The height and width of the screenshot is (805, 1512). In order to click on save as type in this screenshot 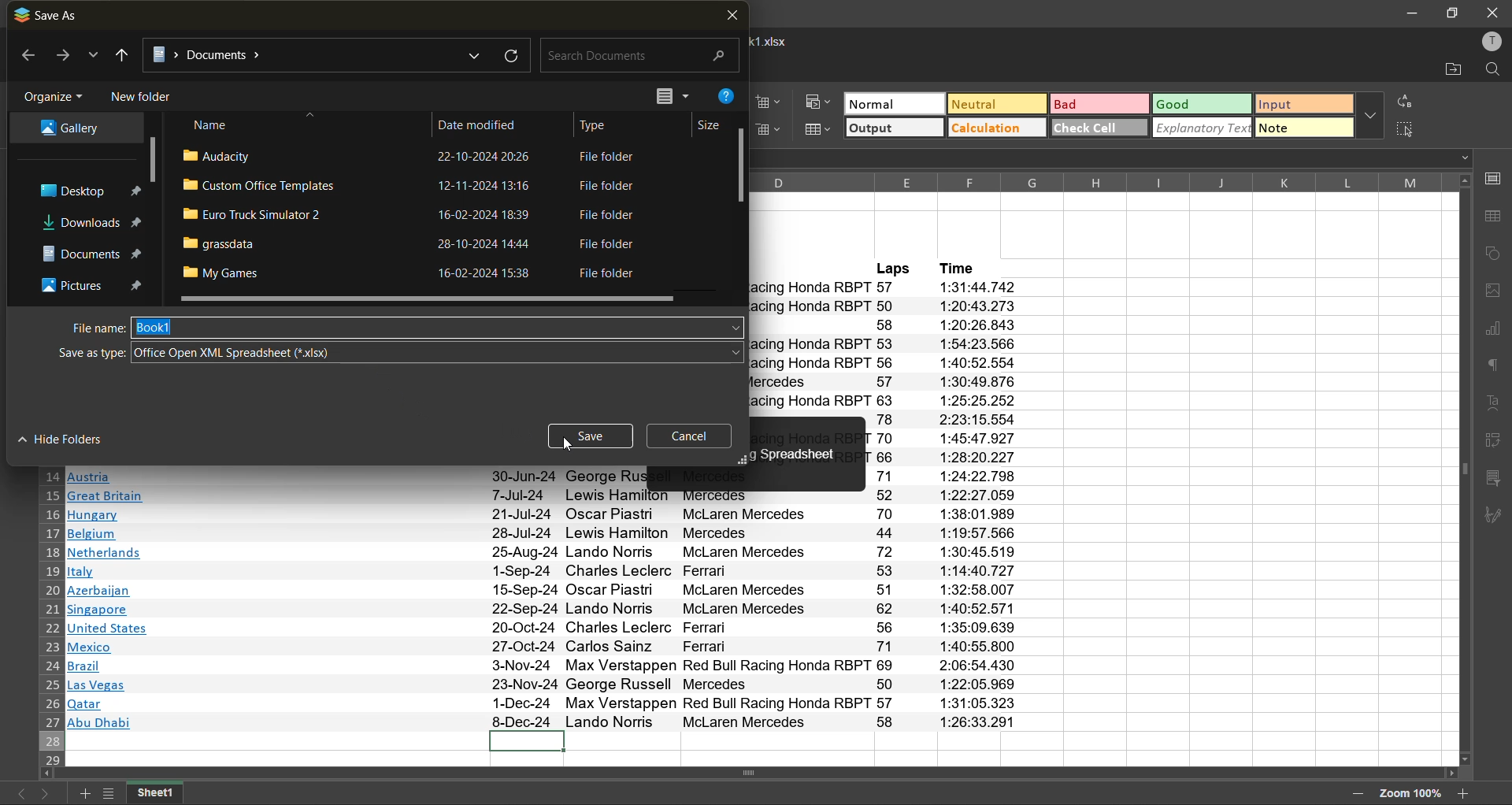, I will do `click(436, 352)`.